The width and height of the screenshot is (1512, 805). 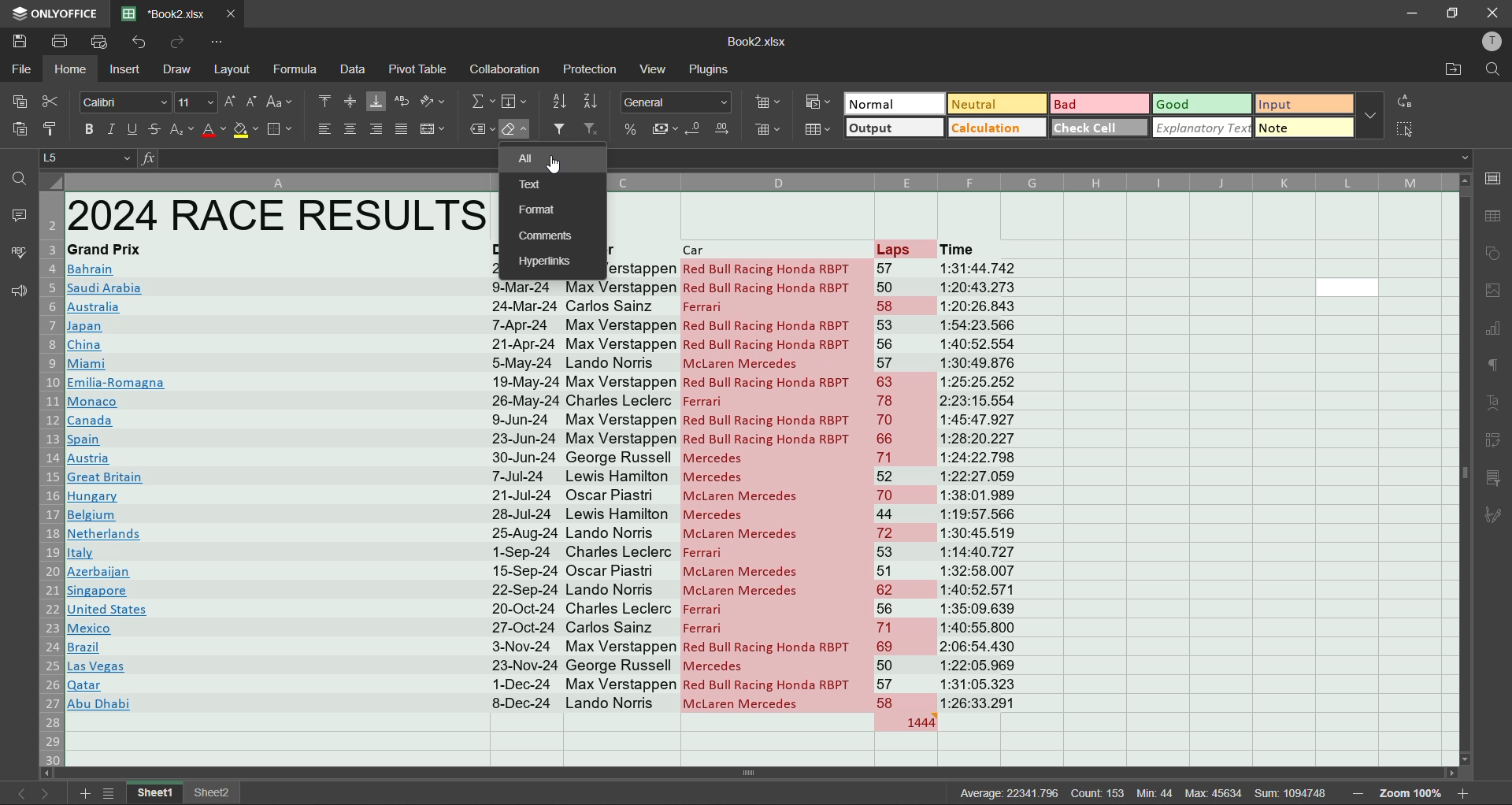 I want to click on merge and center, so click(x=433, y=129).